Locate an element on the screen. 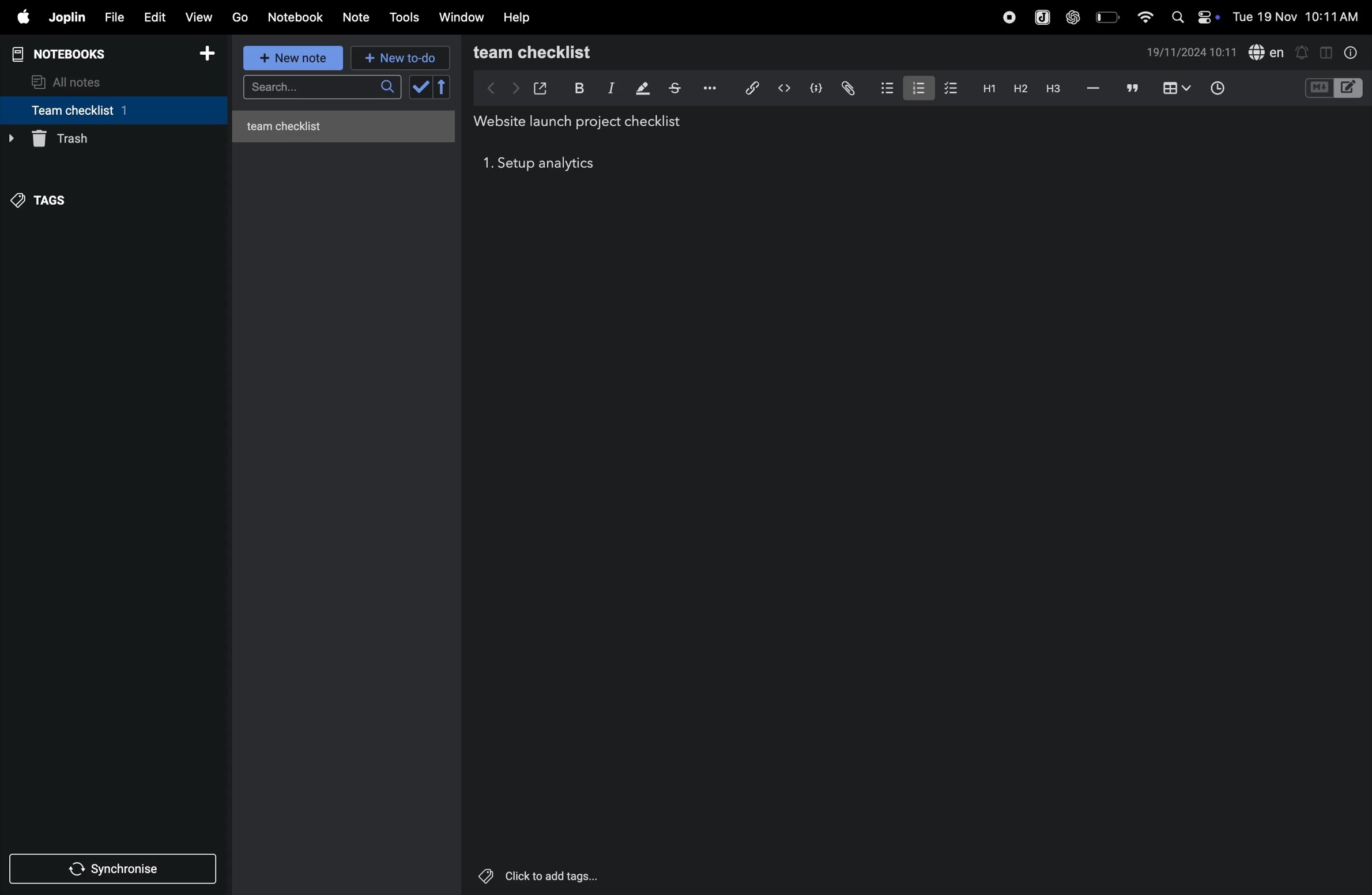 The height and width of the screenshot is (895, 1372). file is located at coordinates (114, 16).